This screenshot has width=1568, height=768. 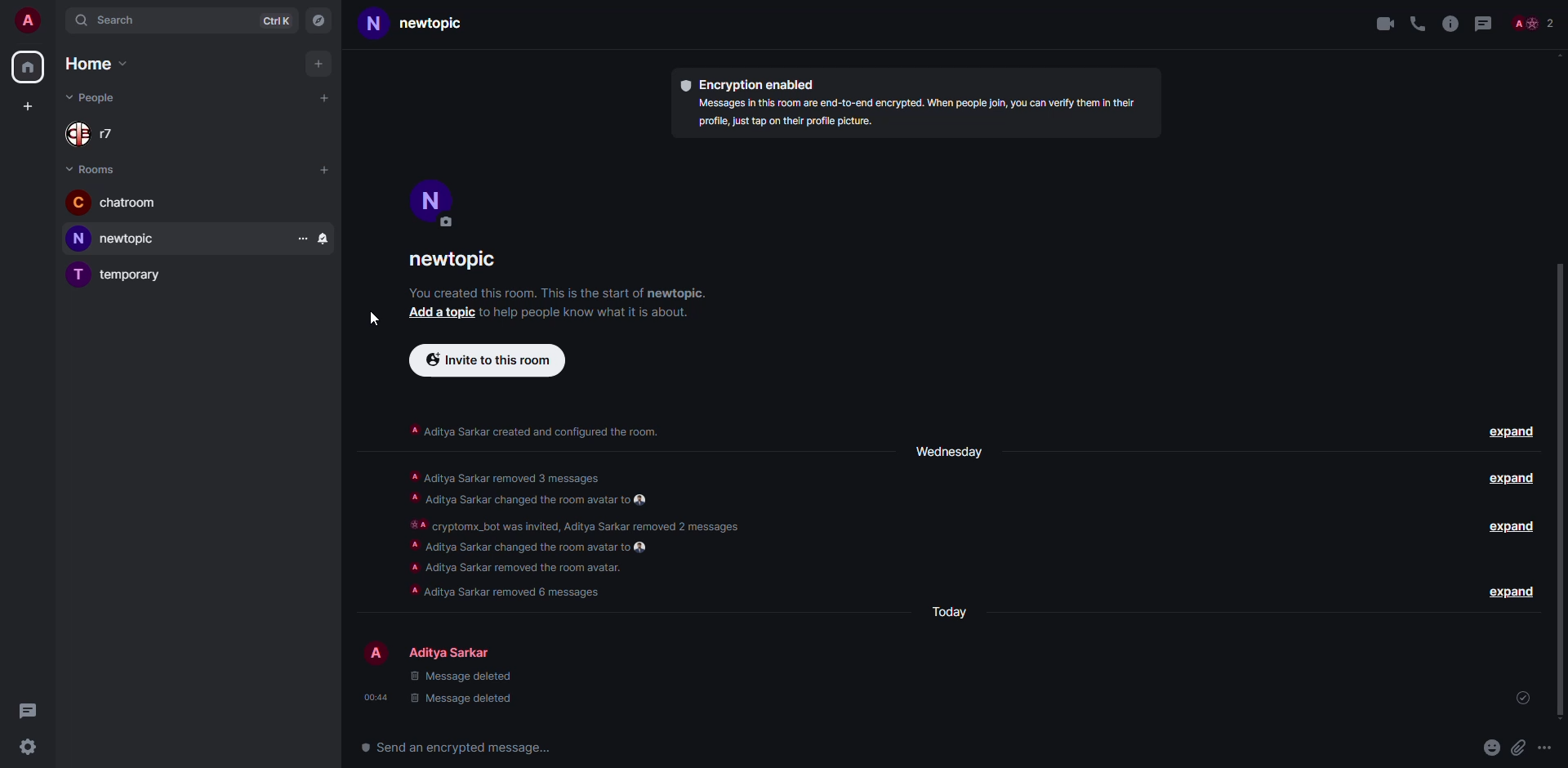 I want to click on threads, so click(x=1486, y=23).